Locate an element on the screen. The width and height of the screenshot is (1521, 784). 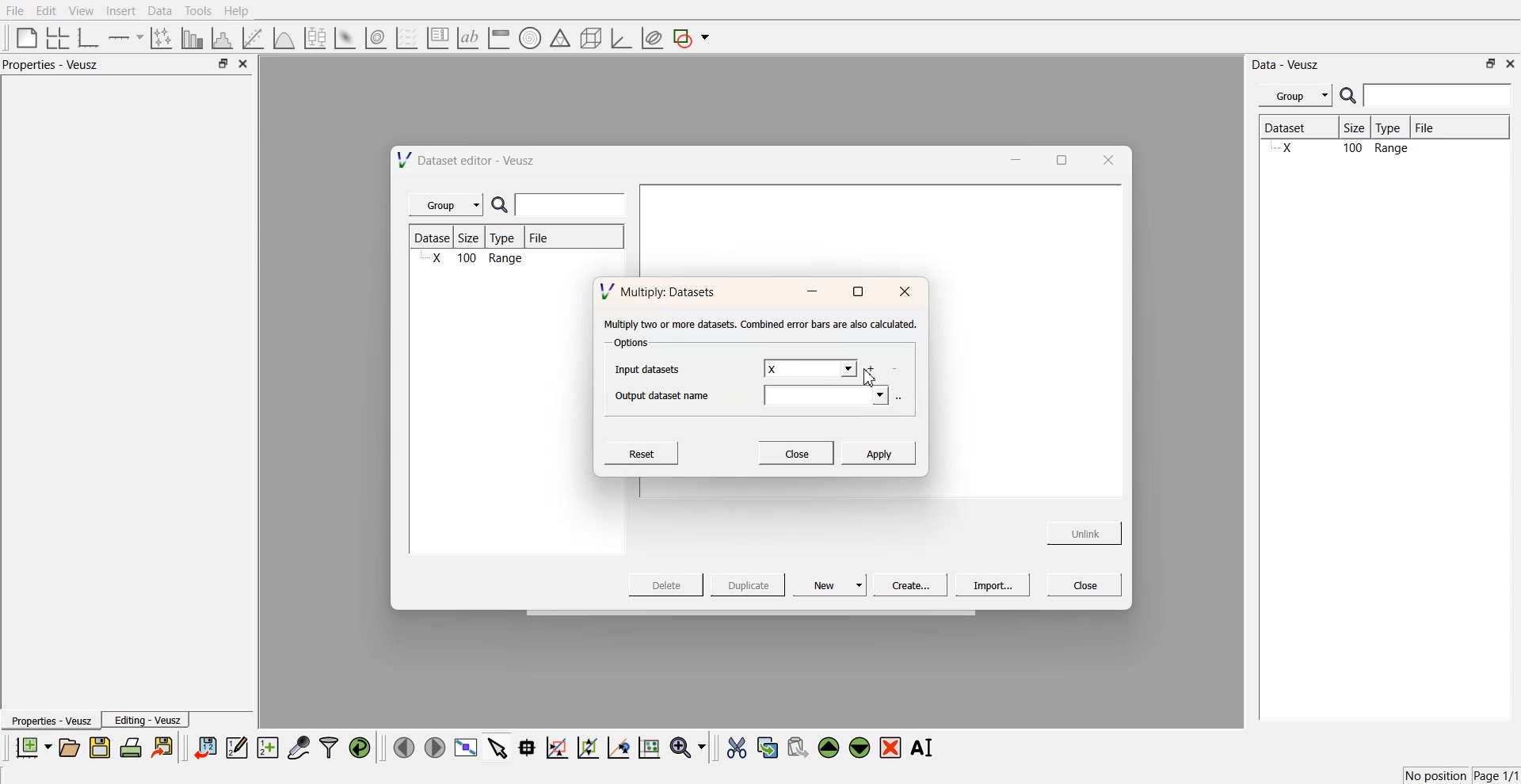
paste the selected widgets is located at coordinates (796, 747).